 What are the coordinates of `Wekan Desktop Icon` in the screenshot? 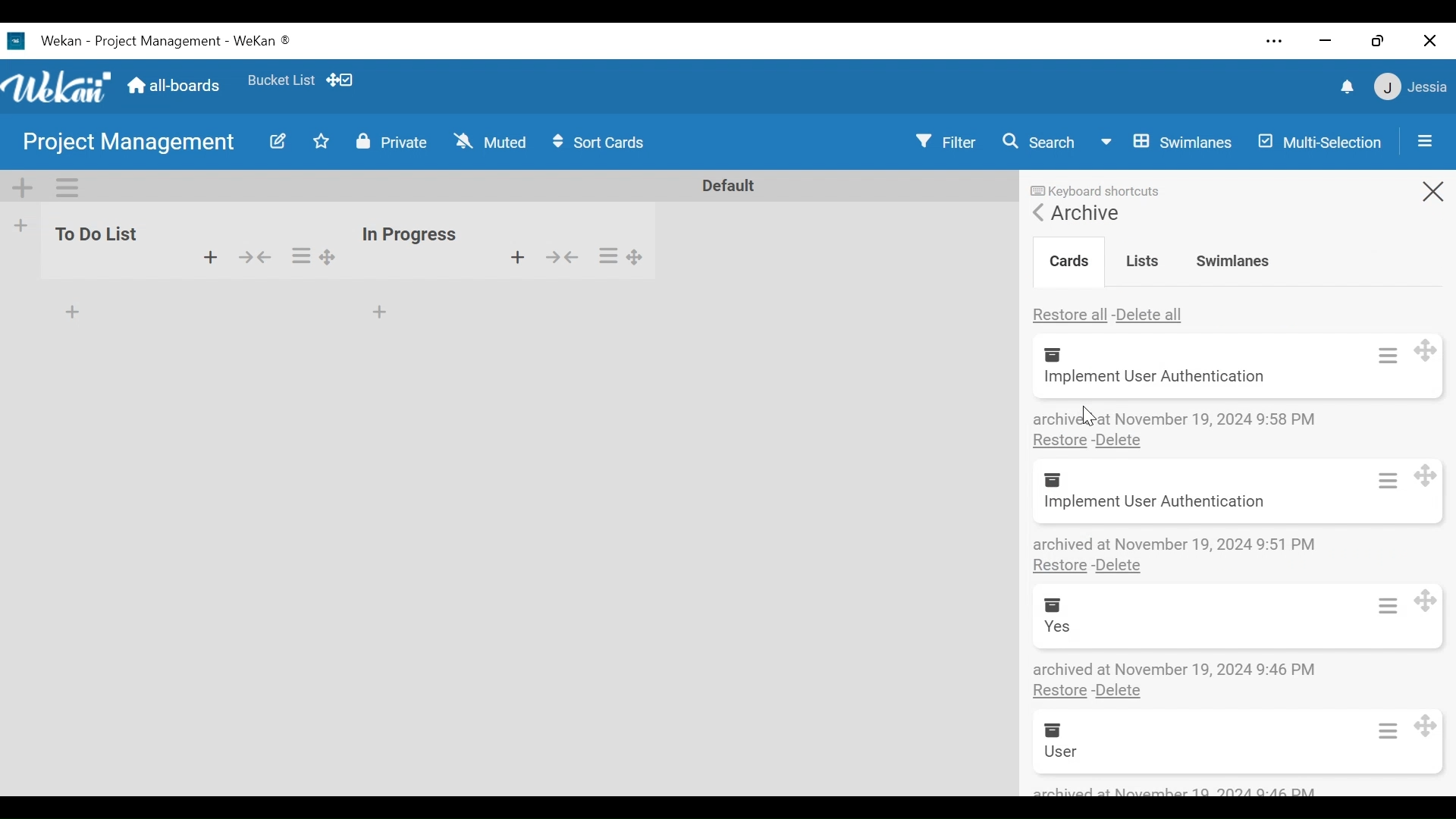 It's located at (149, 42).